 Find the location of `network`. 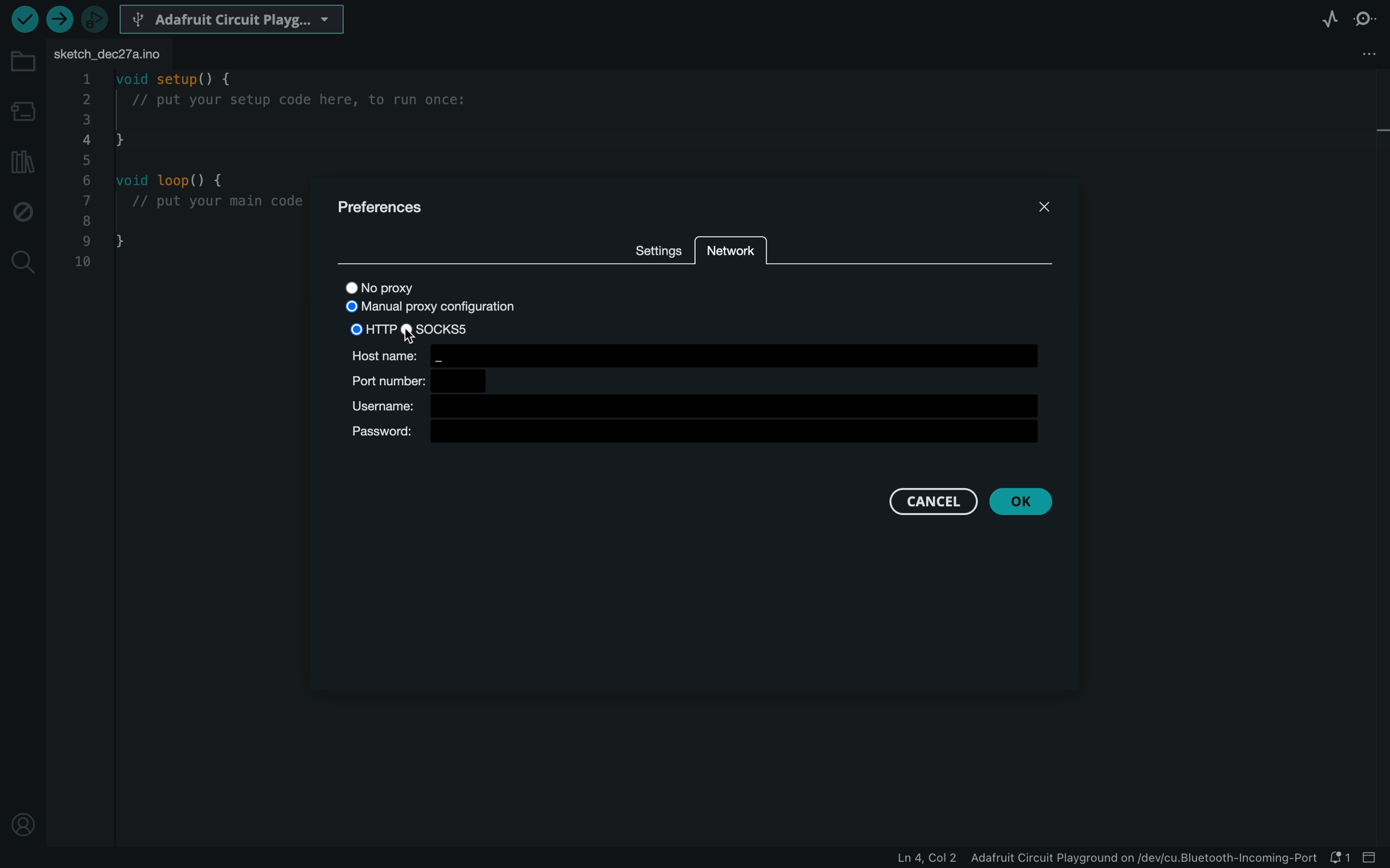

network is located at coordinates (737, 248).